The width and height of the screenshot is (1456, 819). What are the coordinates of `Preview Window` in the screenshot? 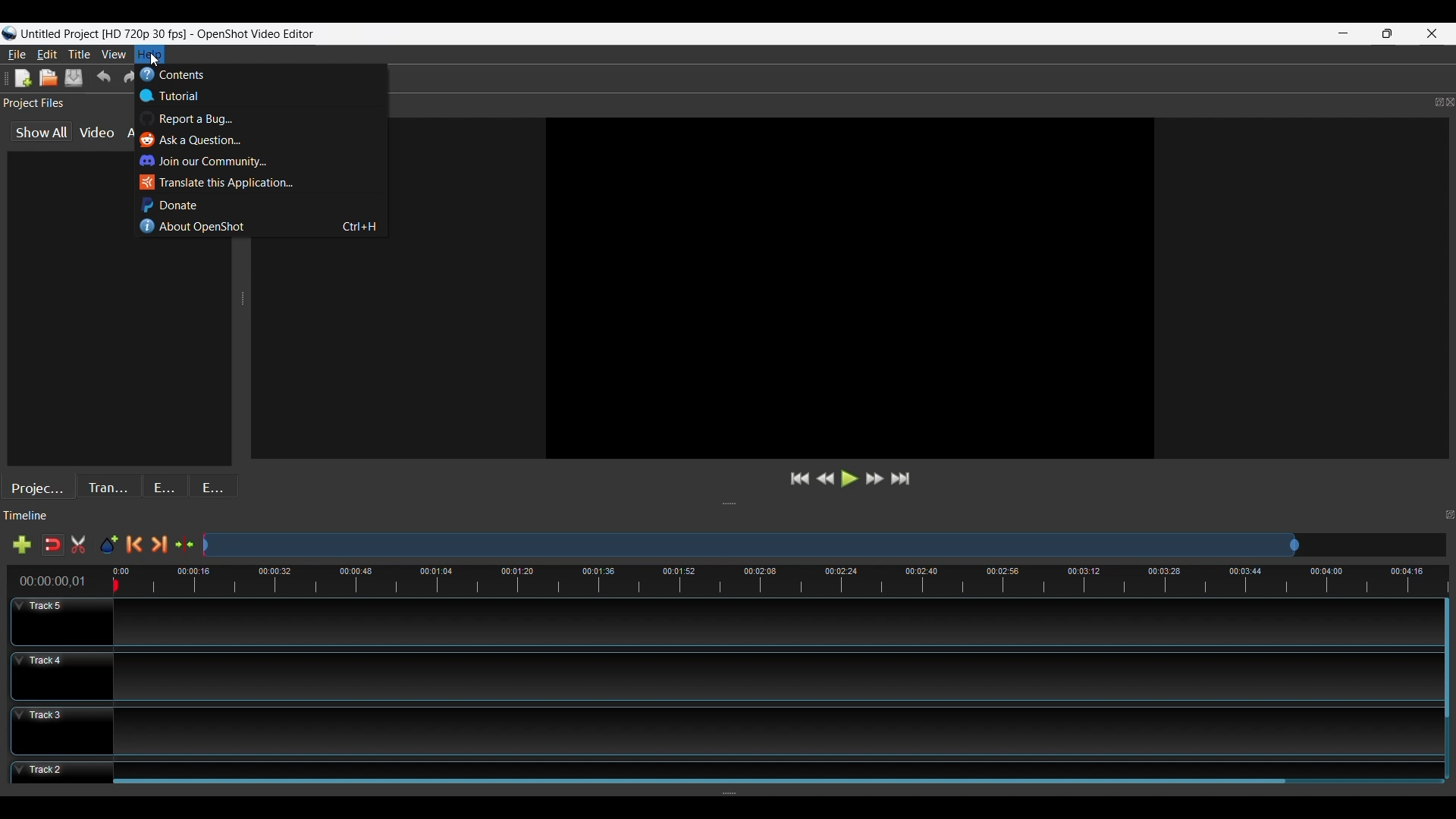 It's located at (849, 287).